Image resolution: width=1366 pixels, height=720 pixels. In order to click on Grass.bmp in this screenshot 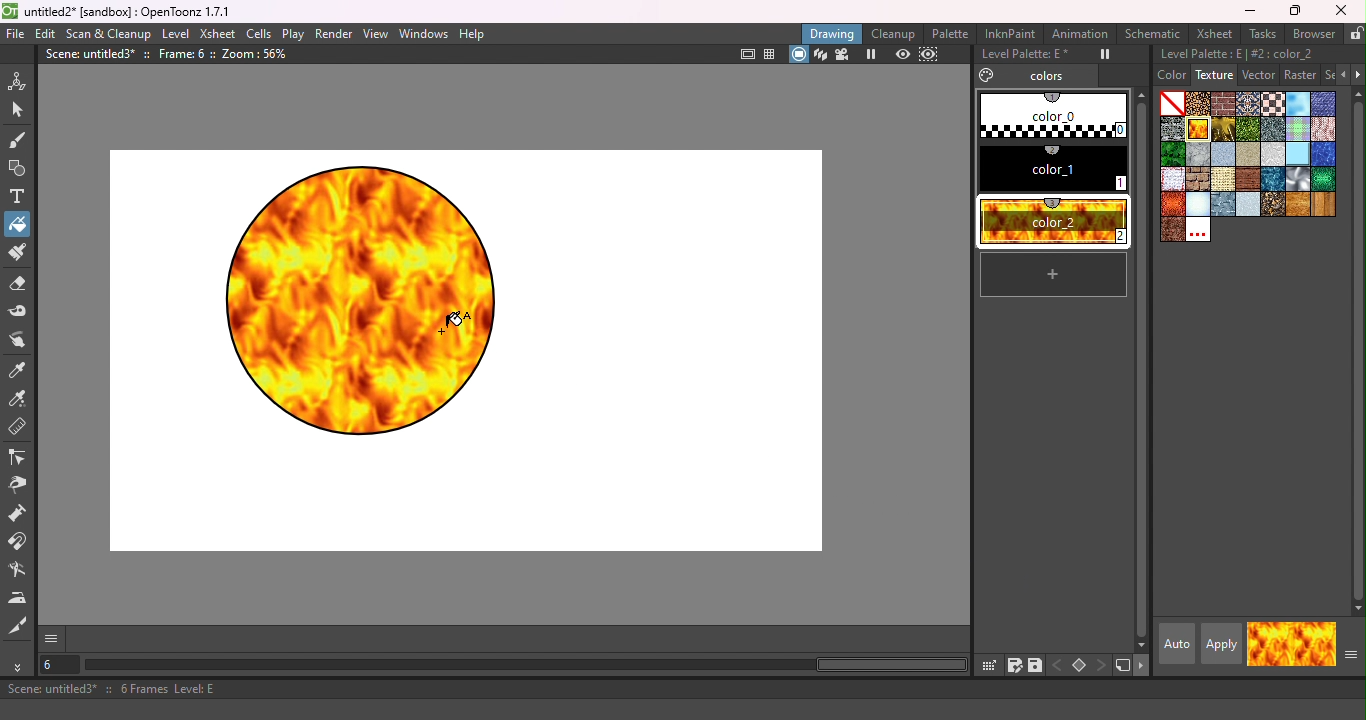, I will do `click(1249, 129)`.